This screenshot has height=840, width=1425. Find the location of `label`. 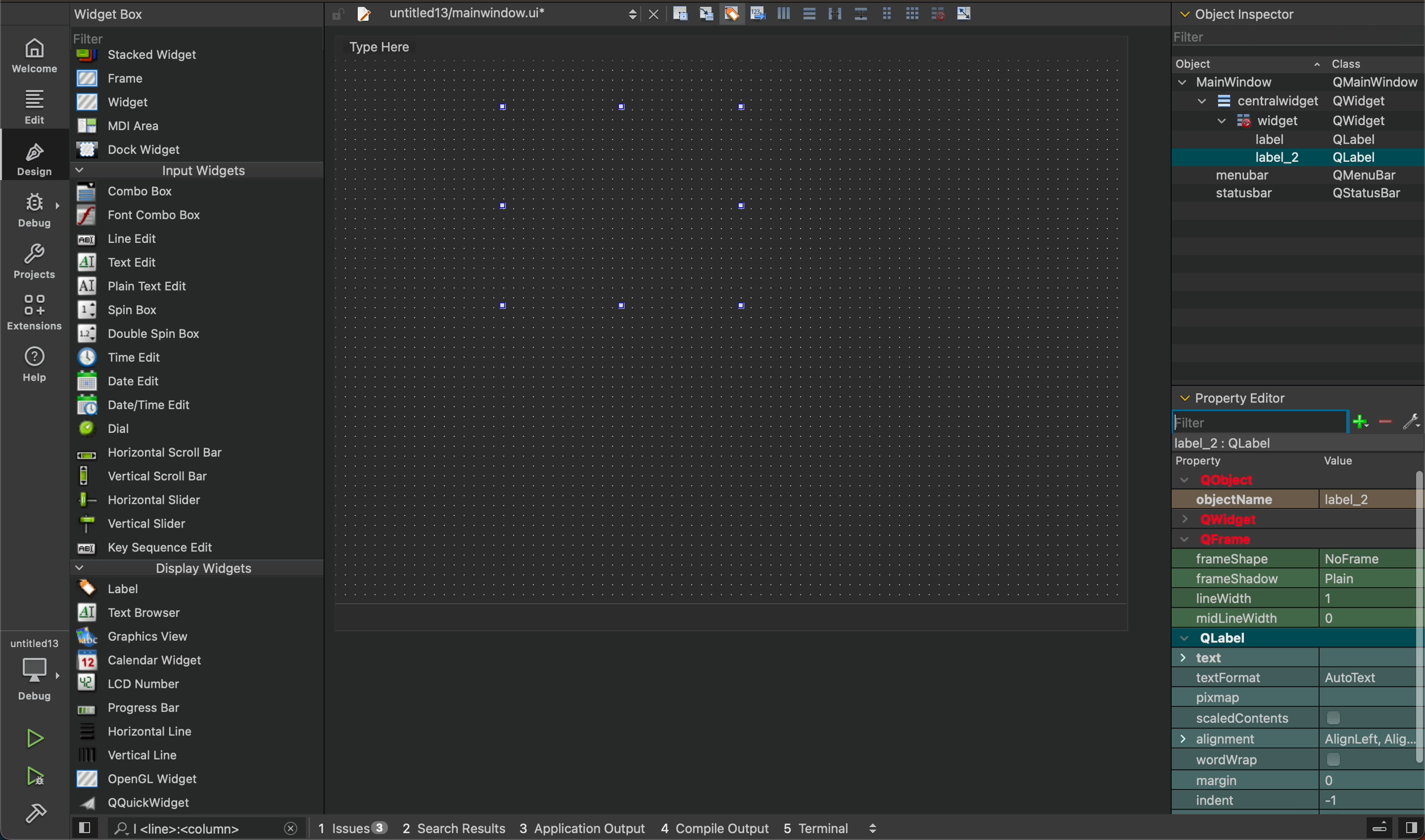

label is located at coordinates (1300, 454).